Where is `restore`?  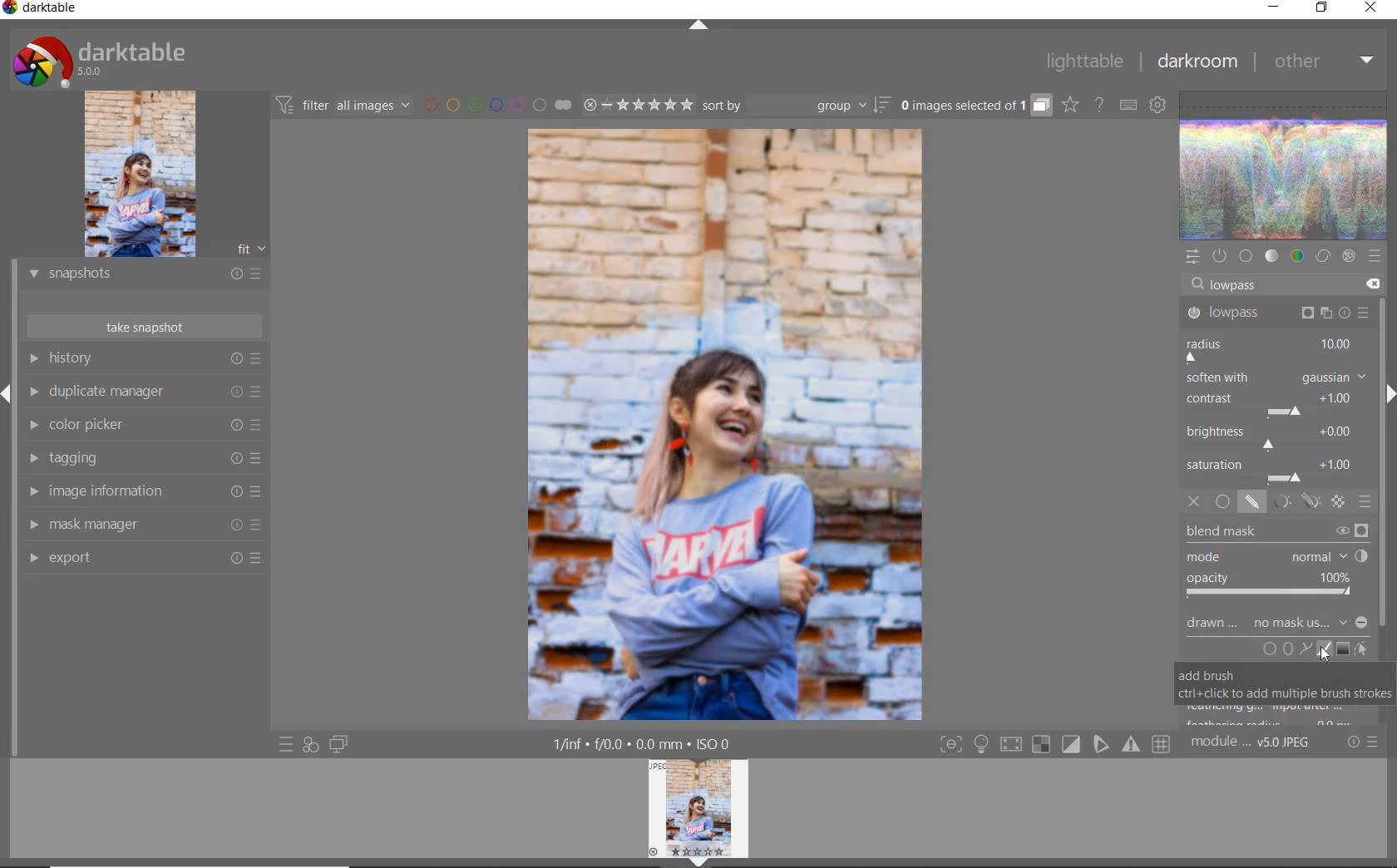 restore is located at coordinates (1322, 9).